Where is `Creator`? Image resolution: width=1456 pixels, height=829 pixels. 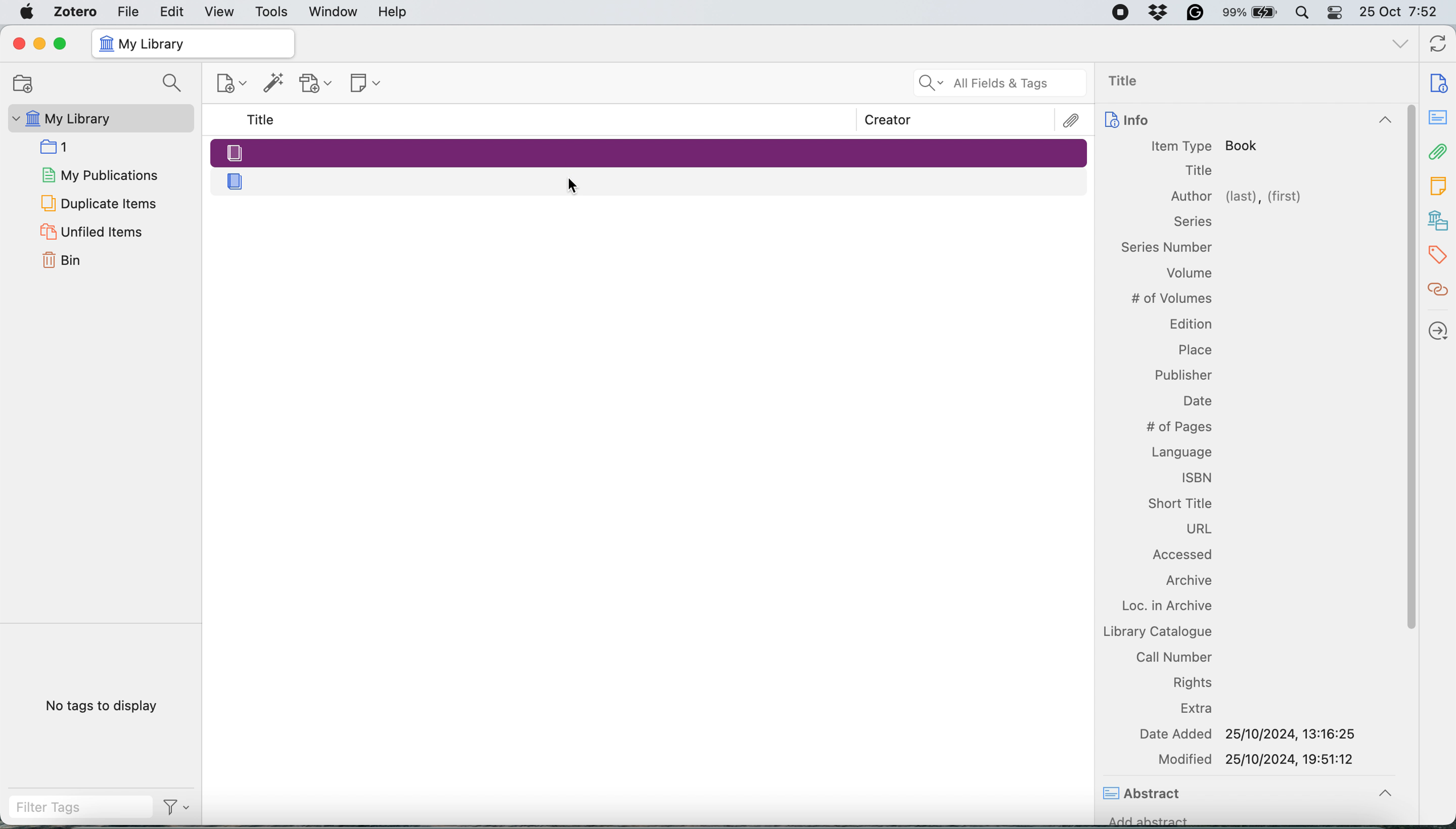
Creator is located at coordinates (888, 120).